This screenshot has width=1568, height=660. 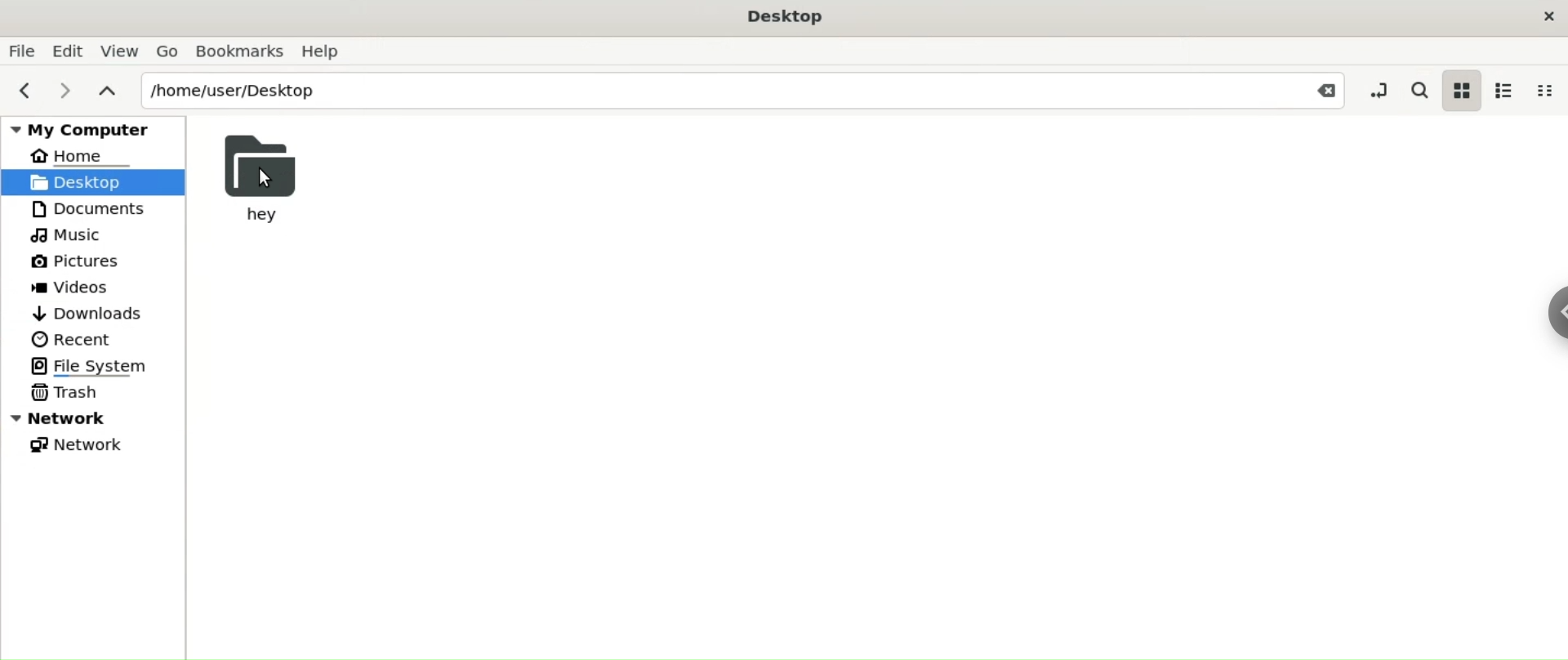 I want to click on Recent, so click(x=71, y=341).